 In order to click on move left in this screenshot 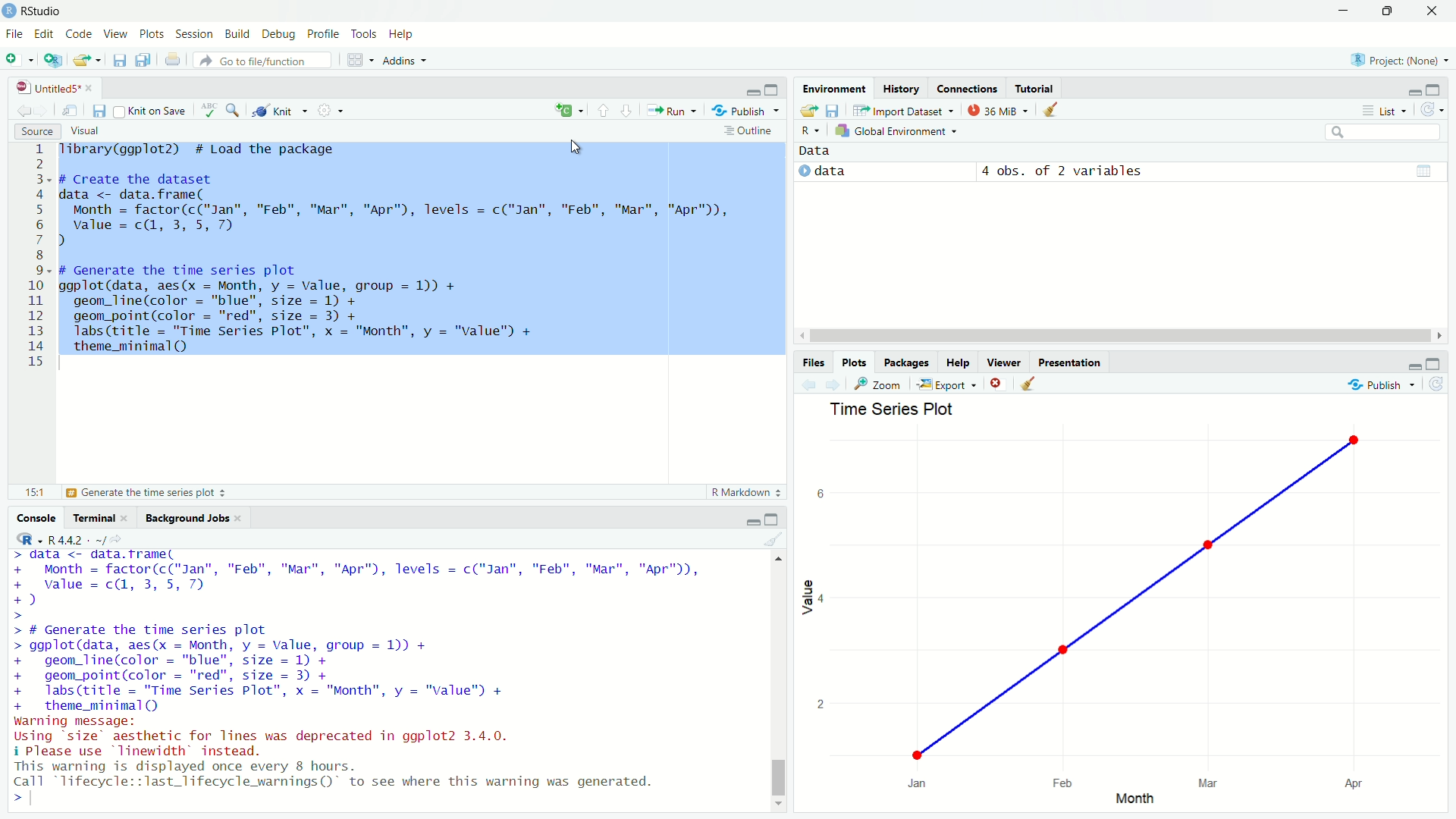, I will do `click(800, 335)`.